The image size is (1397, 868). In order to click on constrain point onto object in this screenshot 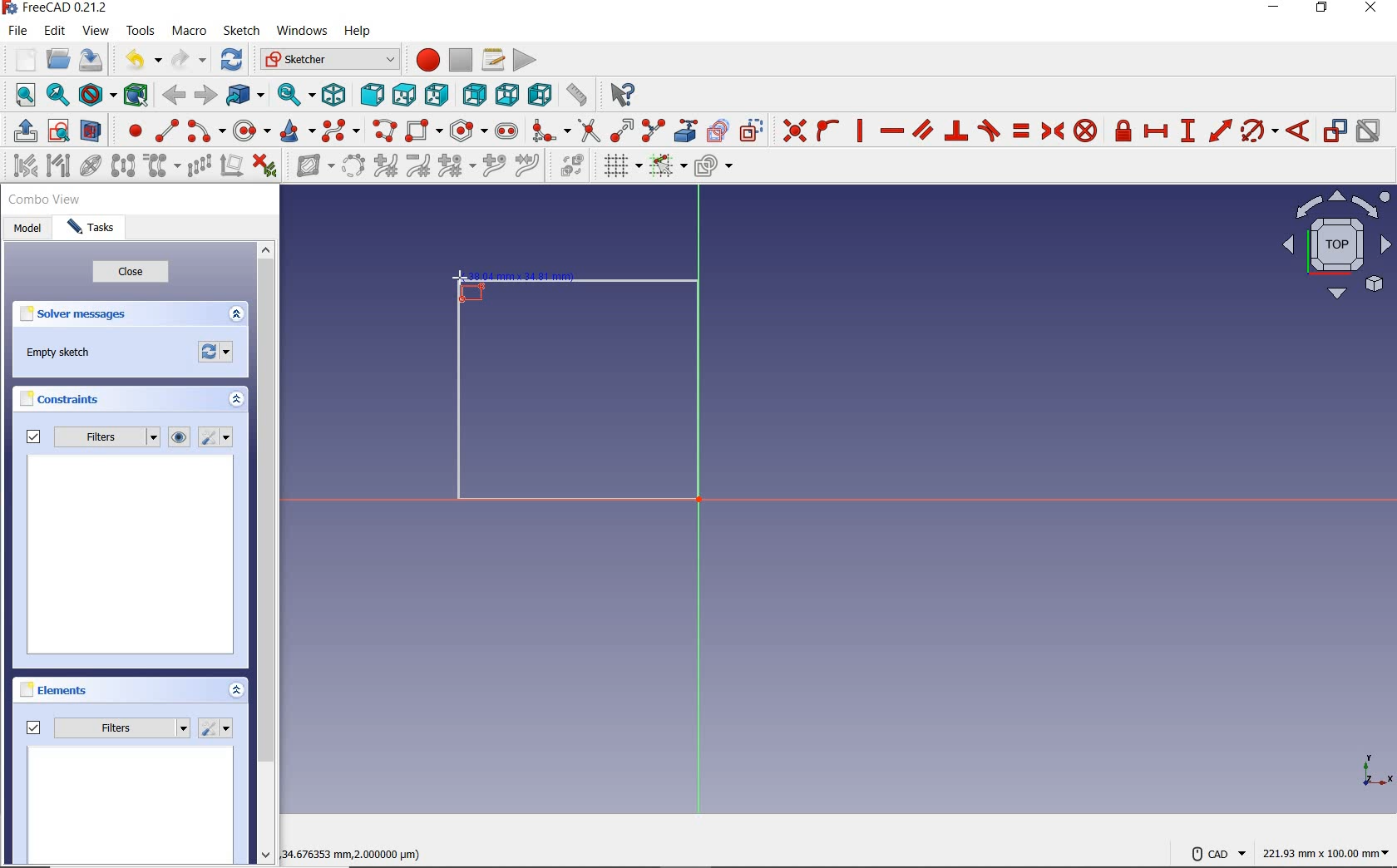, I will do `click(827, 131)`.